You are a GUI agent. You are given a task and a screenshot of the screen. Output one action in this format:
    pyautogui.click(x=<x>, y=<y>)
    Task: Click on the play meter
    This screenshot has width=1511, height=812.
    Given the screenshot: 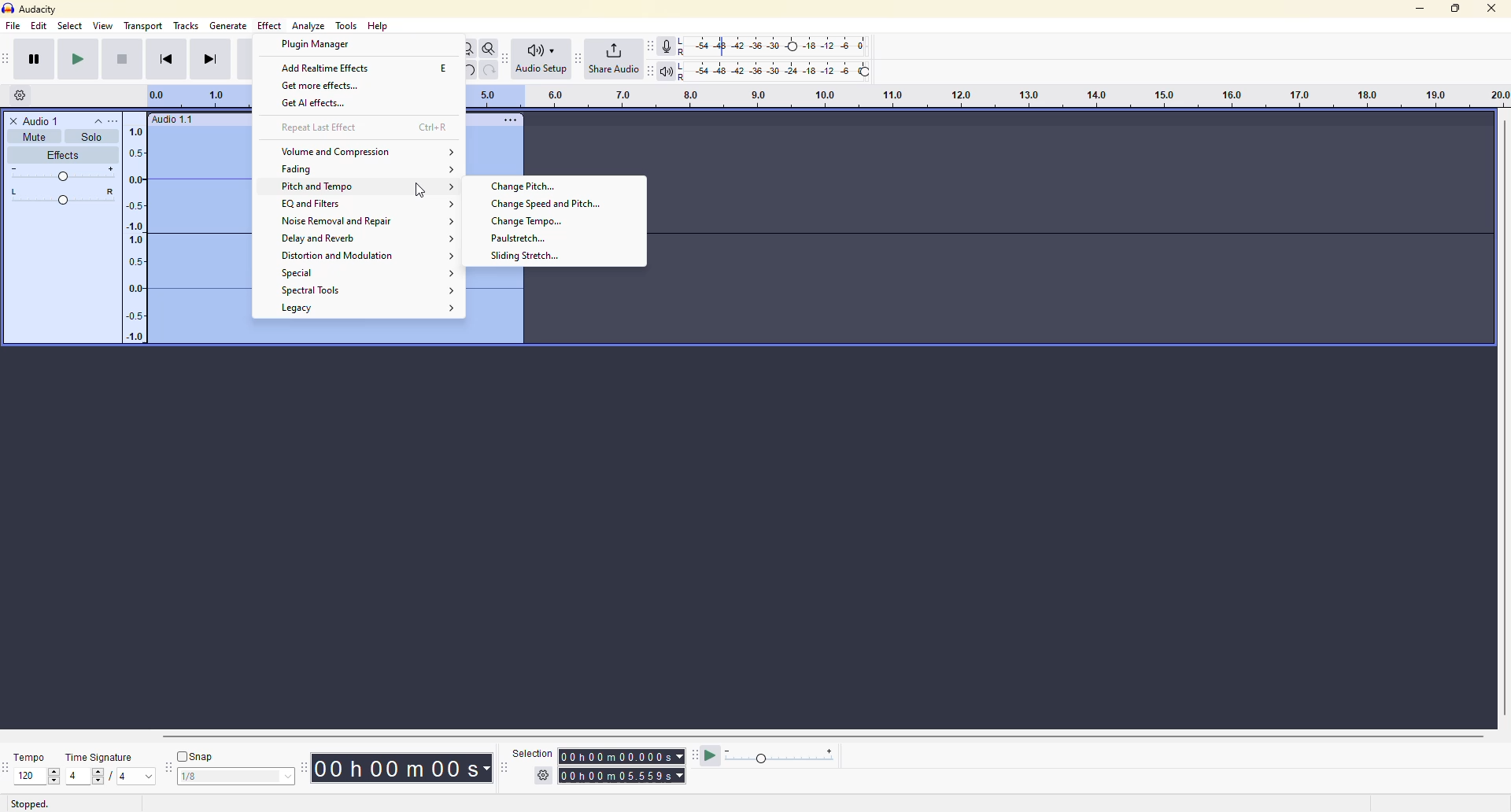 What is the action you would take?
    pyautogui.click(x=781, y=757)
    